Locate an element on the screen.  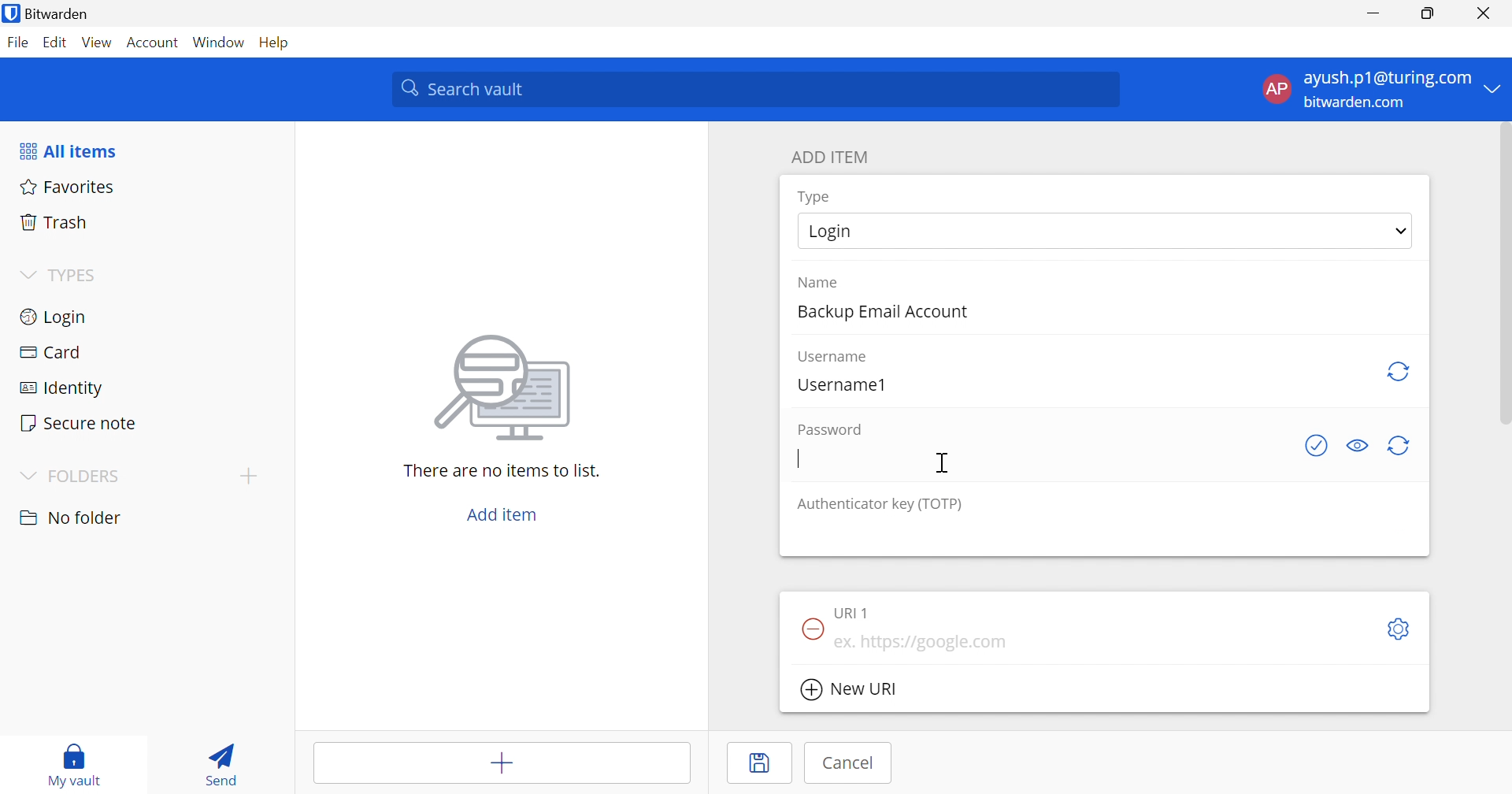
Check if password has been exposed is located at coordinates (1318, 446).